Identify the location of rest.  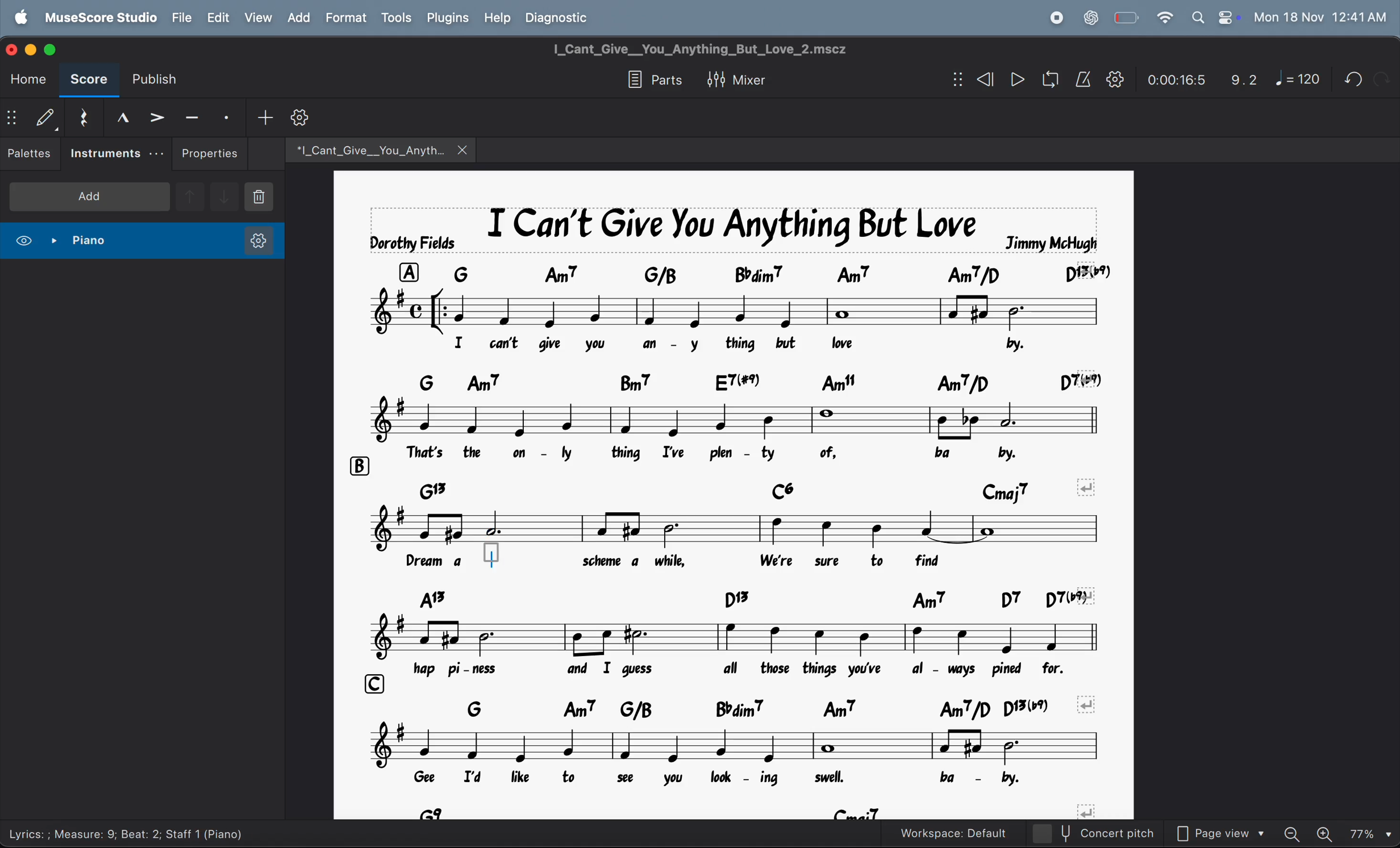
(81, 115).